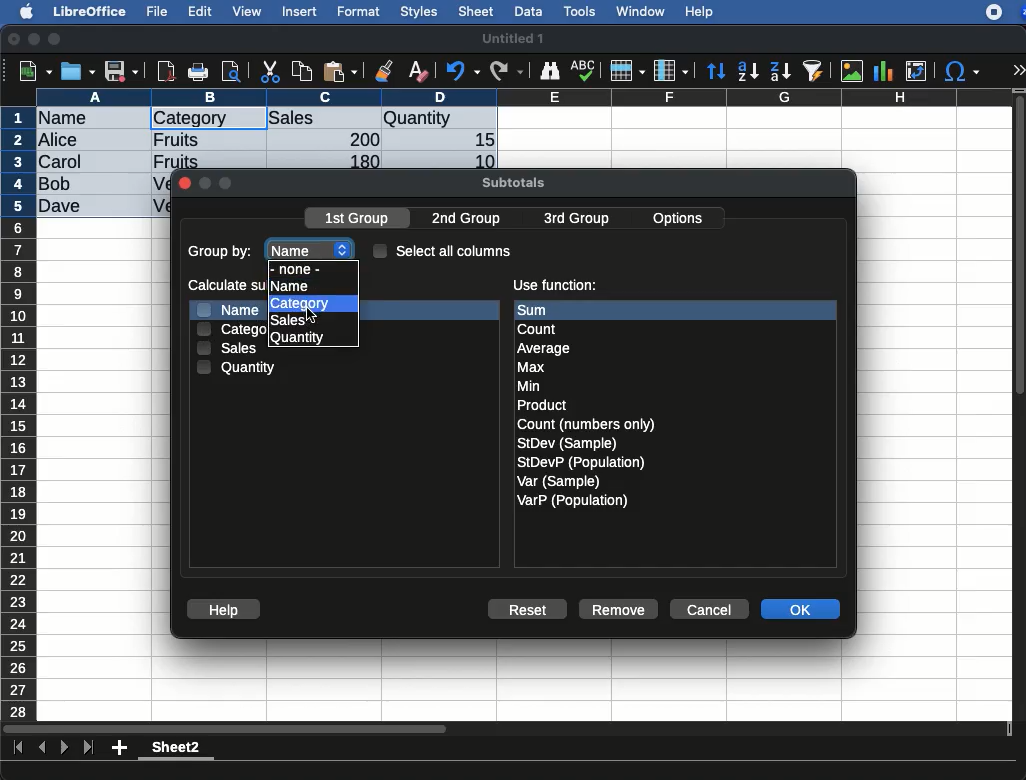 This screenshot has height=780, width=1026. Describe the element at coordinates (549, 71) in the screenshot. I see `finder` at that location.